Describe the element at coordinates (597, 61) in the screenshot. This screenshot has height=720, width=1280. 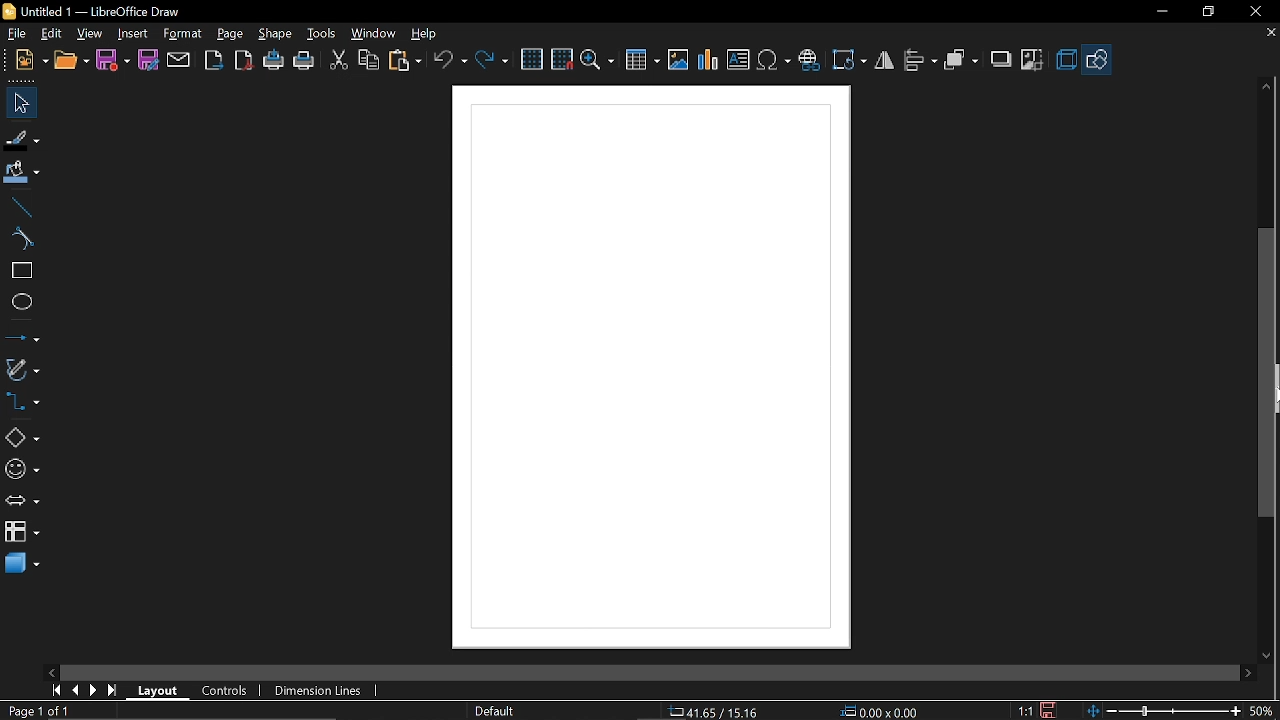
I see `zoom` at that location.